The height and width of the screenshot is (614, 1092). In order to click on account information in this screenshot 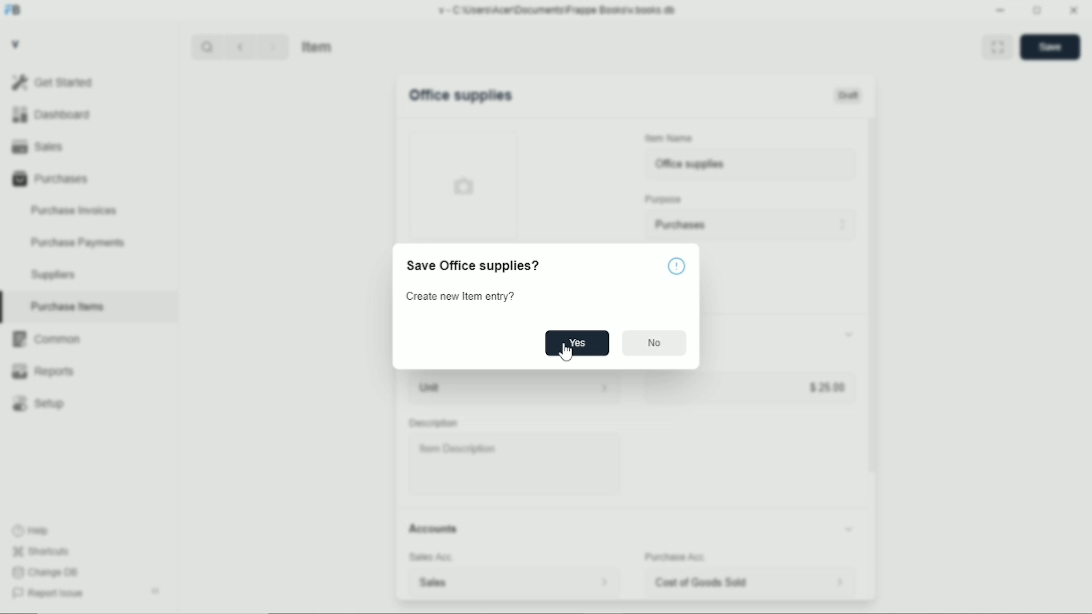, I will do `click(839, 582)`.